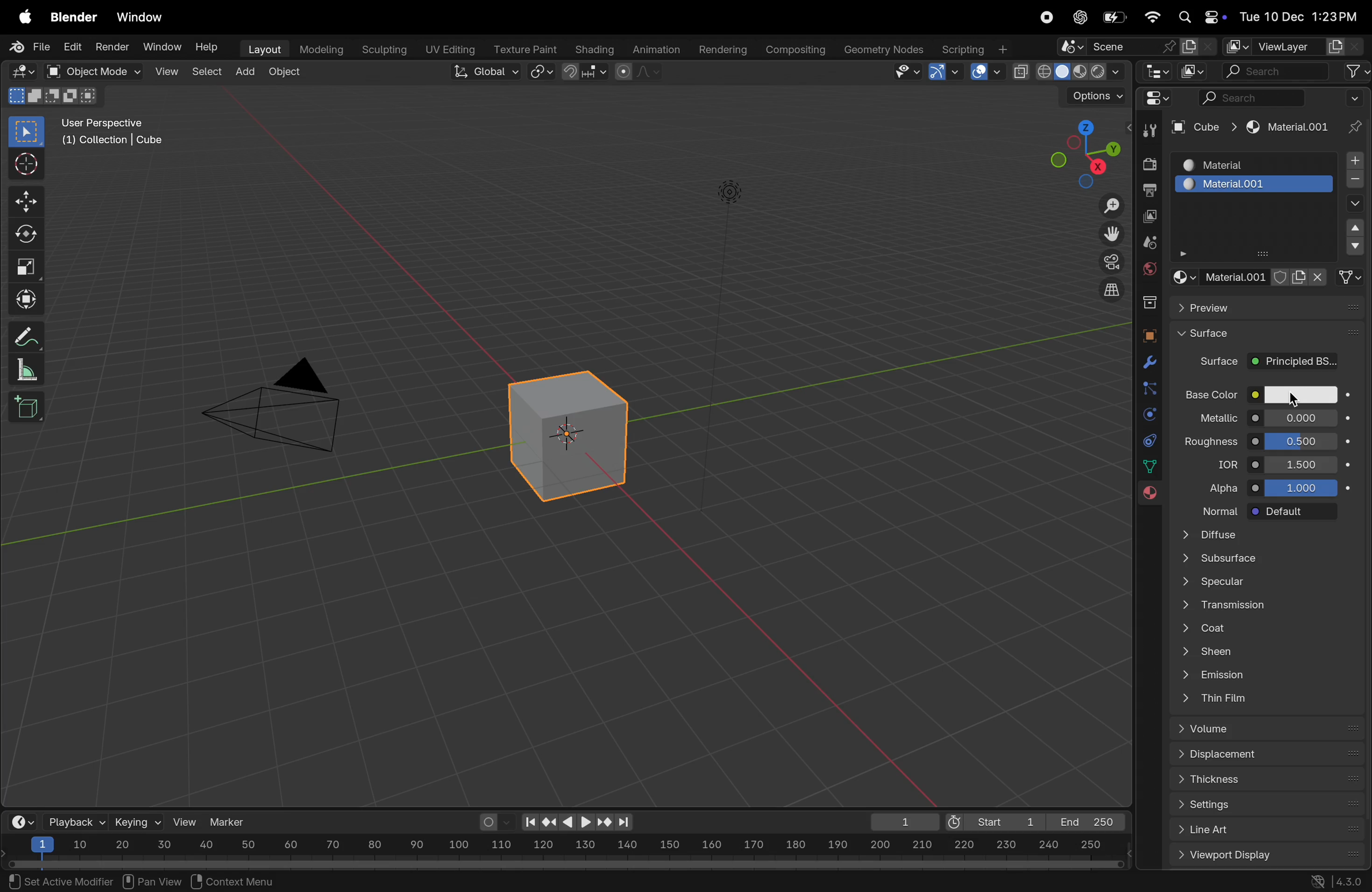  Describe the element at coordinates (1111, 232) in the screenshot. I see `move the view` at that location.